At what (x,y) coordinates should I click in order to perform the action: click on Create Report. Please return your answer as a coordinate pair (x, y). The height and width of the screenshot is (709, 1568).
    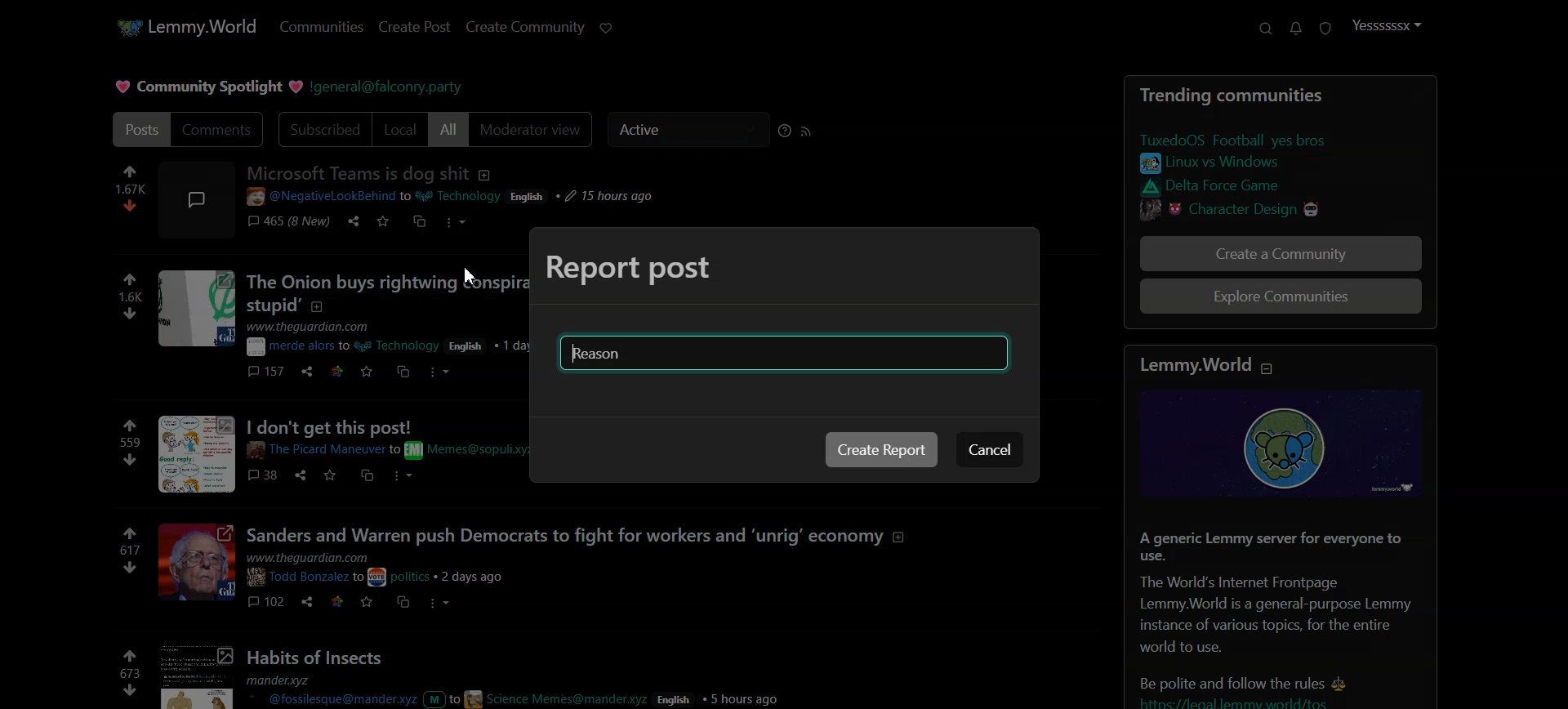
    Looking at the image, I should click on (881, 449).